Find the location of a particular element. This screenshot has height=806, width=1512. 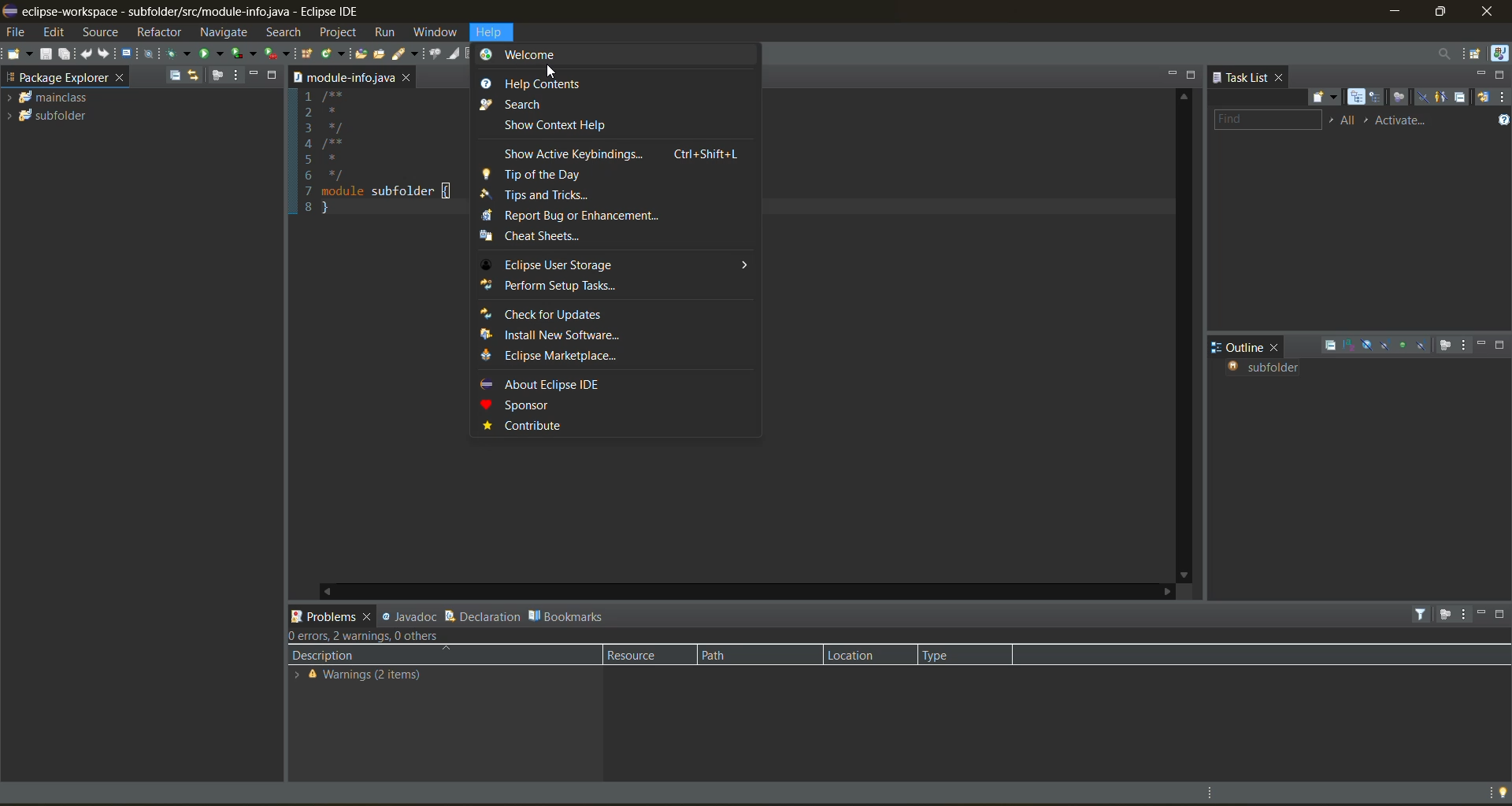

minimize is located at coordinates (254, 76).